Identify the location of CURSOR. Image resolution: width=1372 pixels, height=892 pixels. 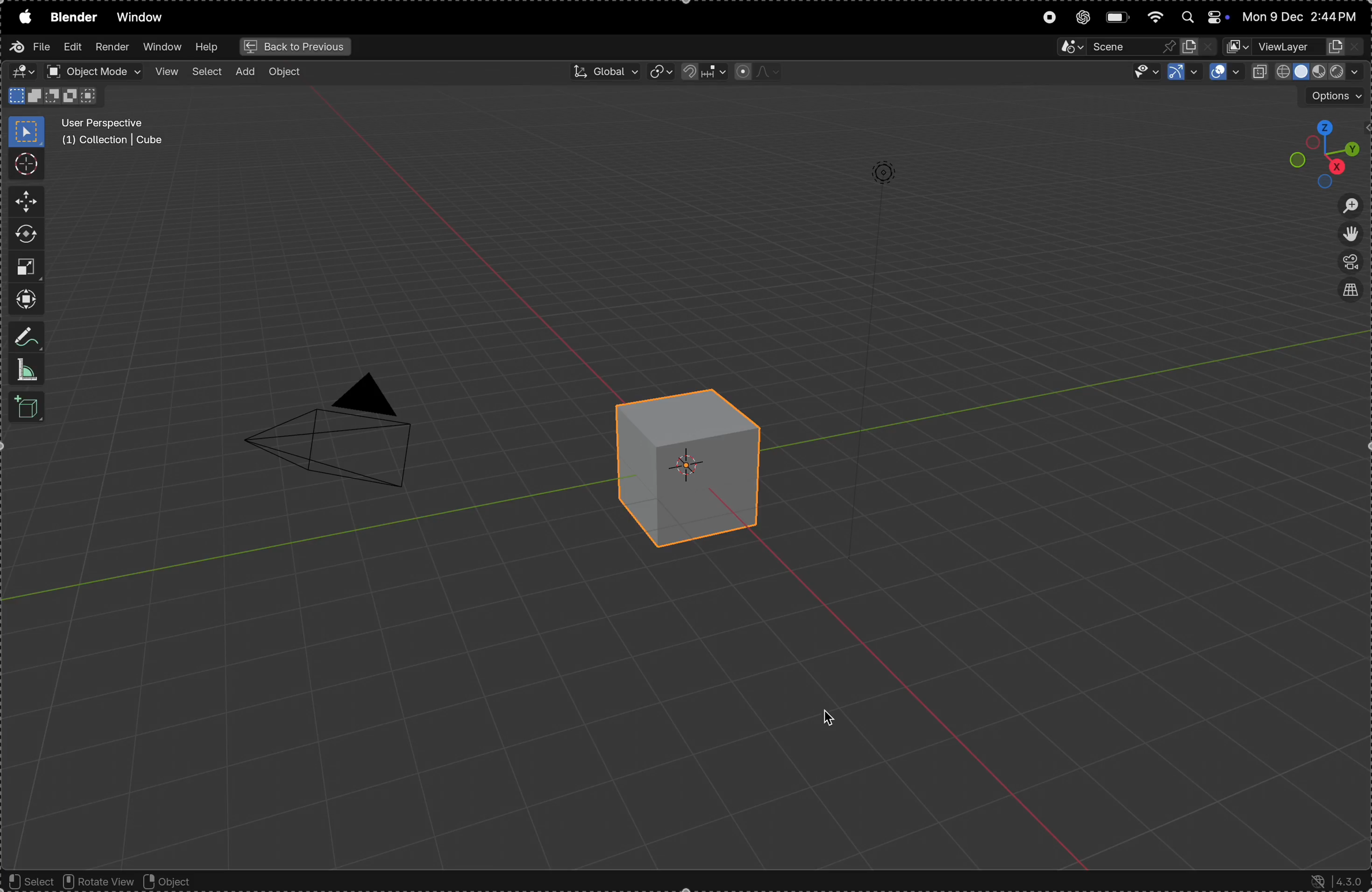
(836, 719).